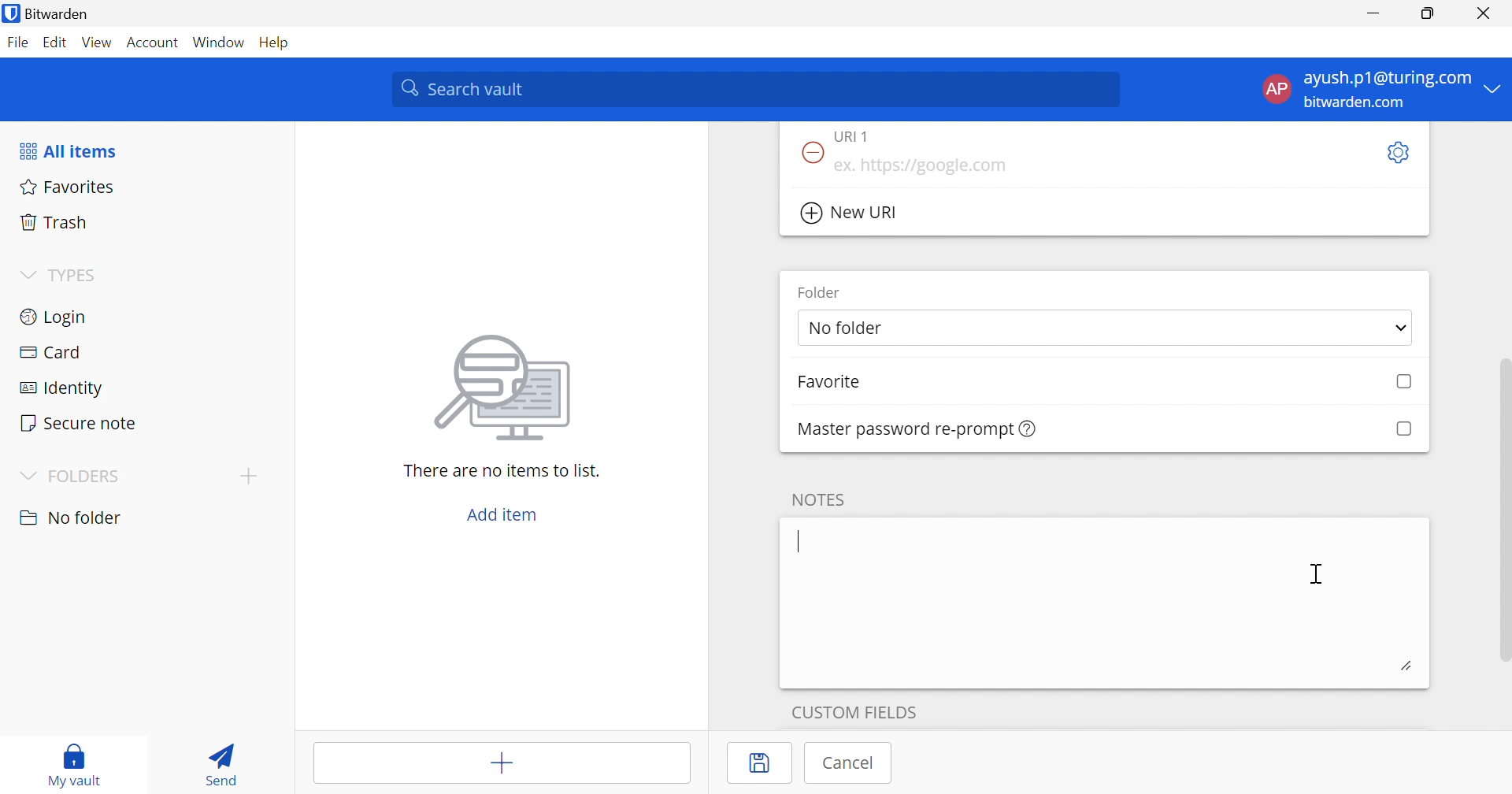 The width and height of the screenshot is (1512, 794). I want to click on Drop Down, so click(27, 276).